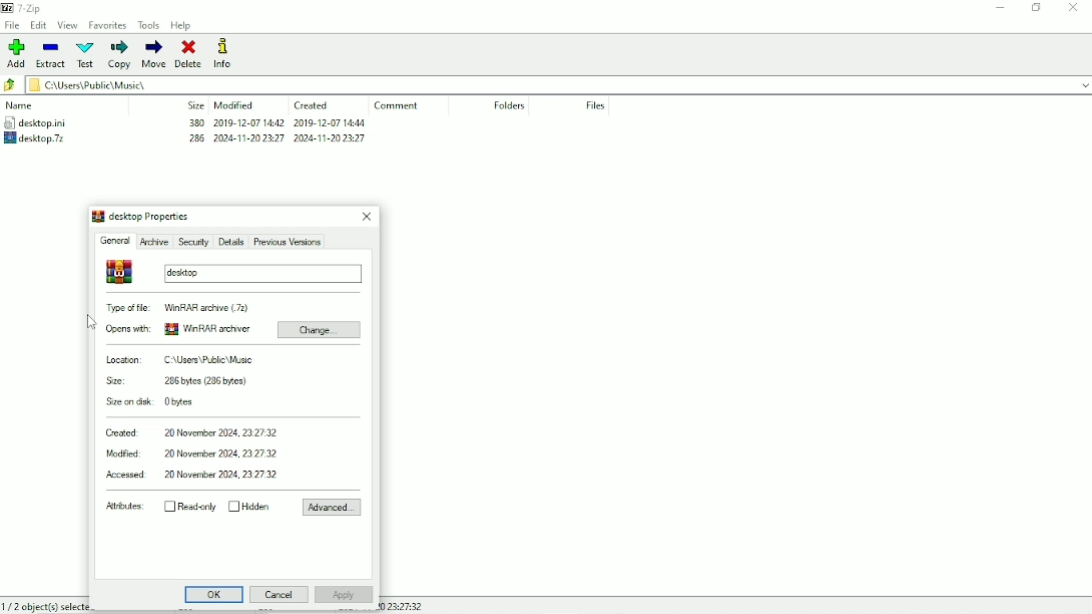  Describe the element at coordinates (195, 475) in the screenshot. I see `Accessed date and time` at that location.